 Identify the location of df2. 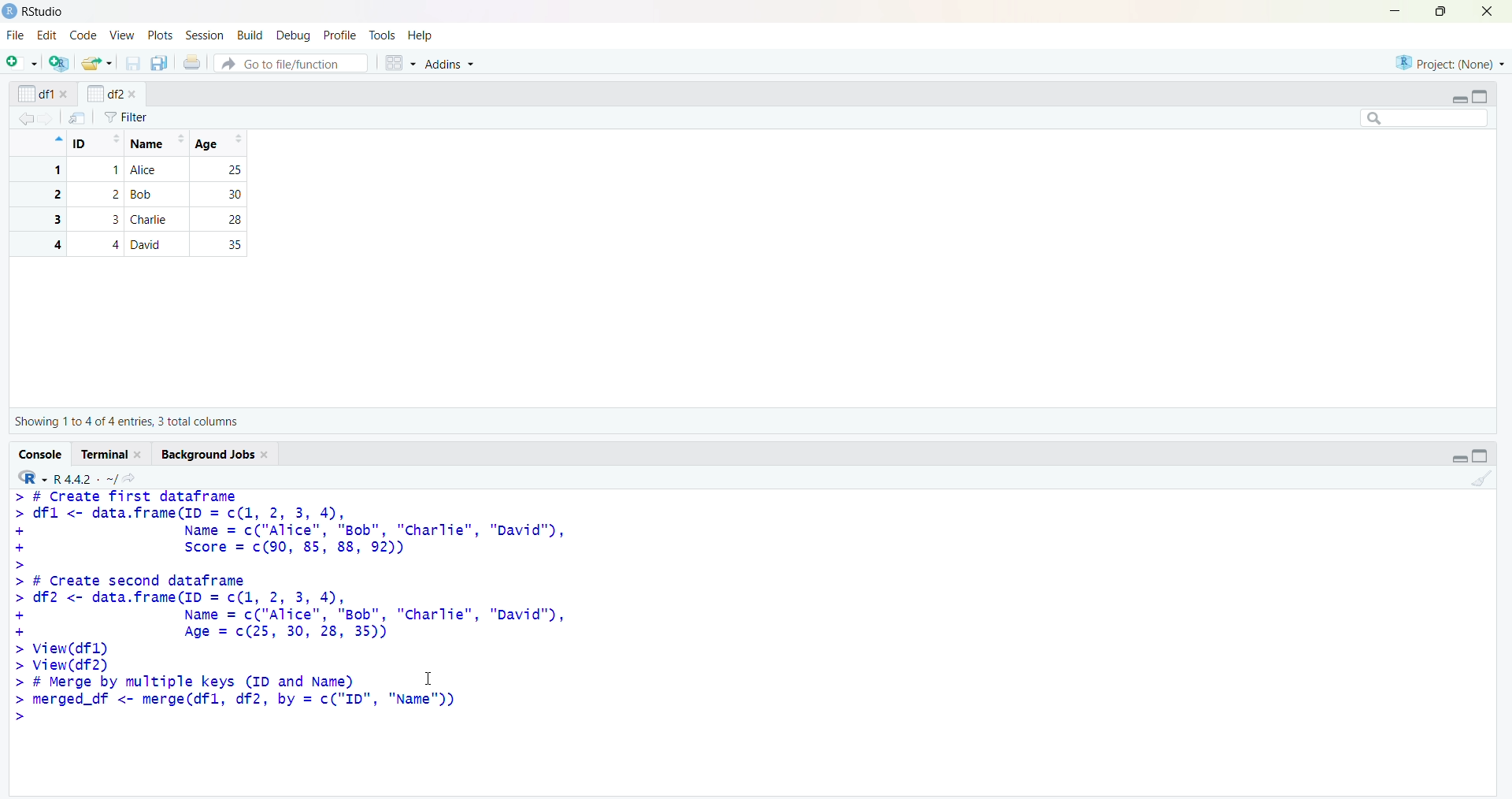
(104, 93).